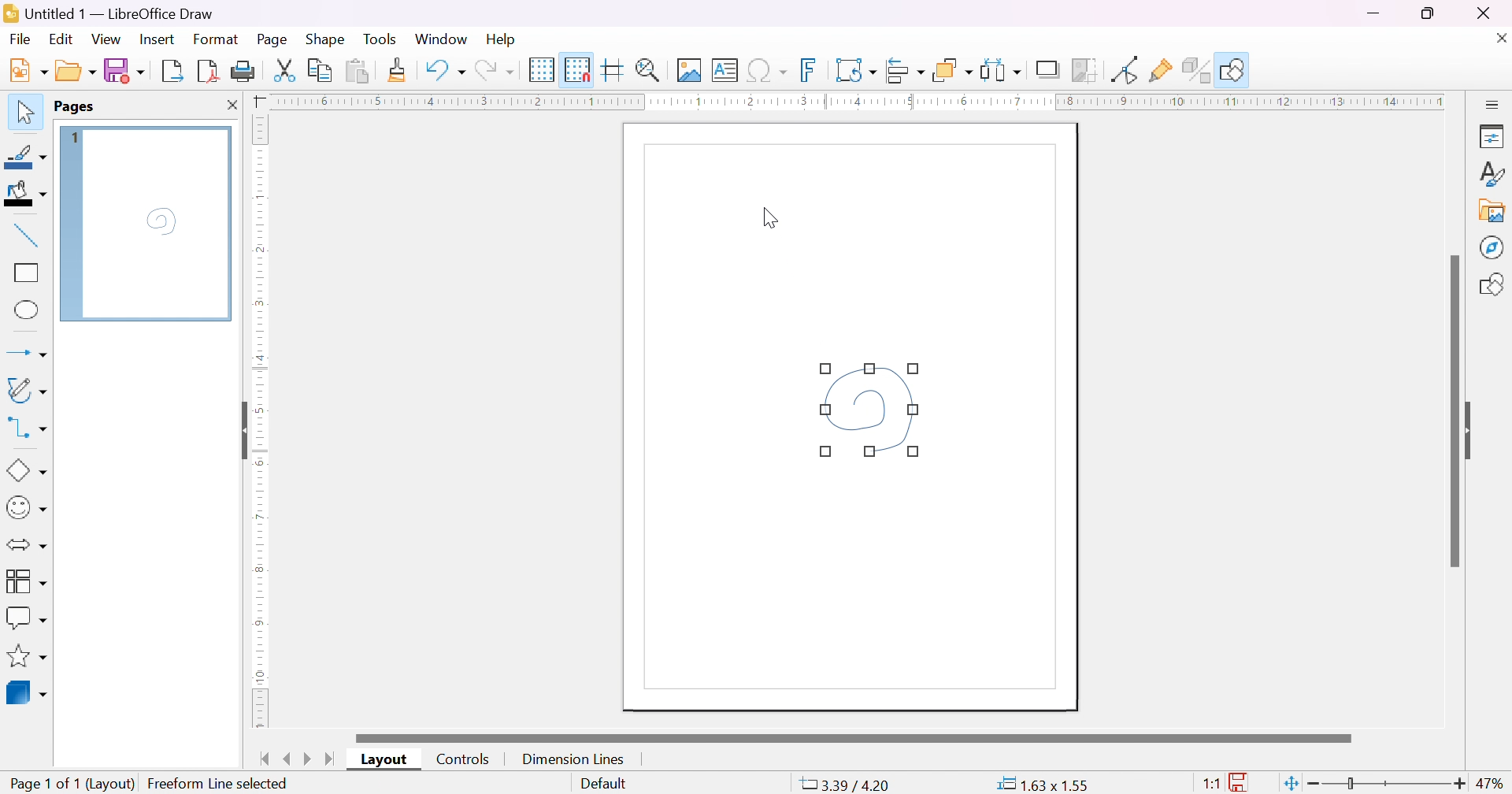 This screenshot has width=1512, height=794. What do you see at coordinates (28, 392) in the screenshot?
I see `curves and polygons (double click for multi-selection)` at bounding box center [28, 392].